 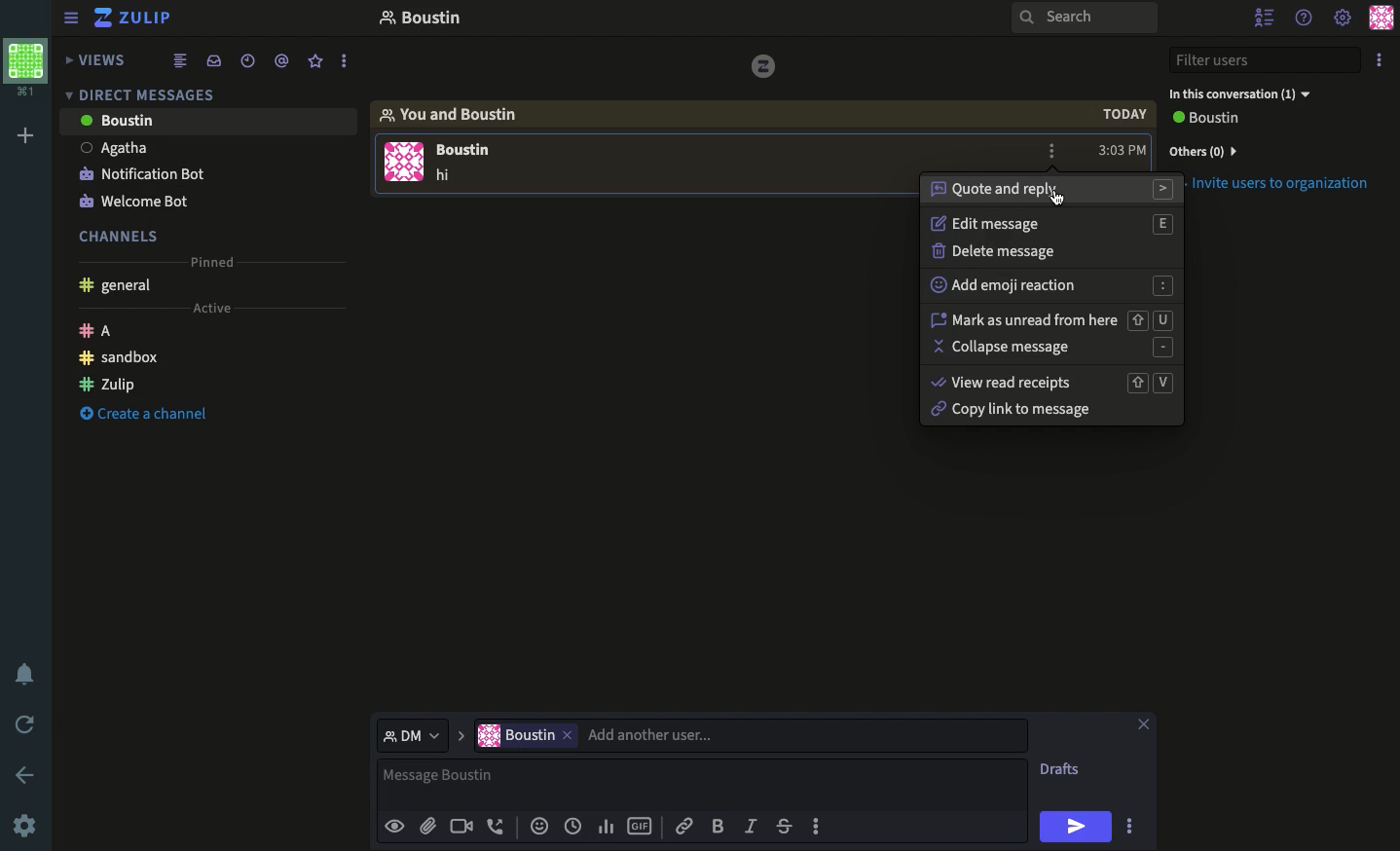 What do you see at coordinates (246, 59) in the screenshot?
I see `Time` at bounding box center [246, 59].